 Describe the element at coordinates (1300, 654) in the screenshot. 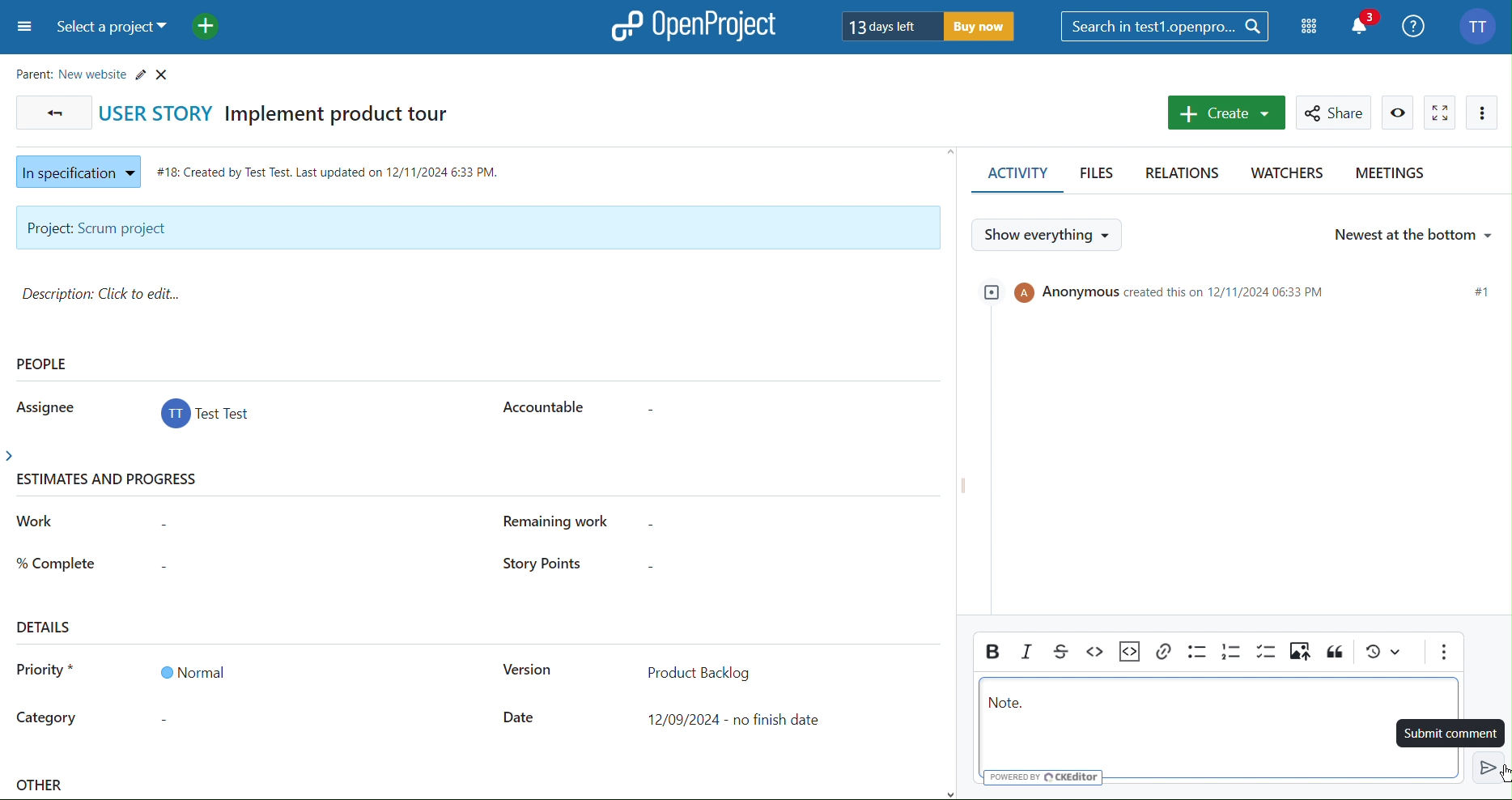

I see `Insert Image` at that location.